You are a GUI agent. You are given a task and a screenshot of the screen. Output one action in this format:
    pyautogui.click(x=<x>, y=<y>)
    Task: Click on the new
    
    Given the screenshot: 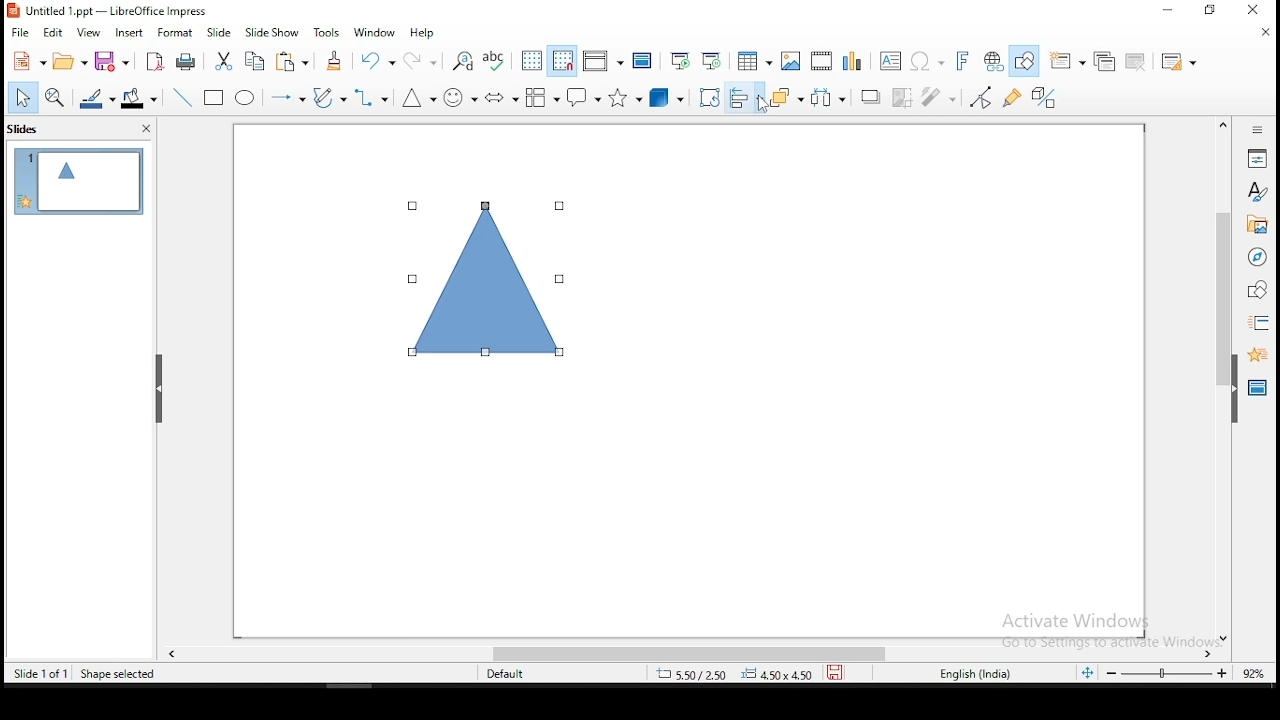 What is the action you would take?
    pyautogui.click(x=28, y=61)
    